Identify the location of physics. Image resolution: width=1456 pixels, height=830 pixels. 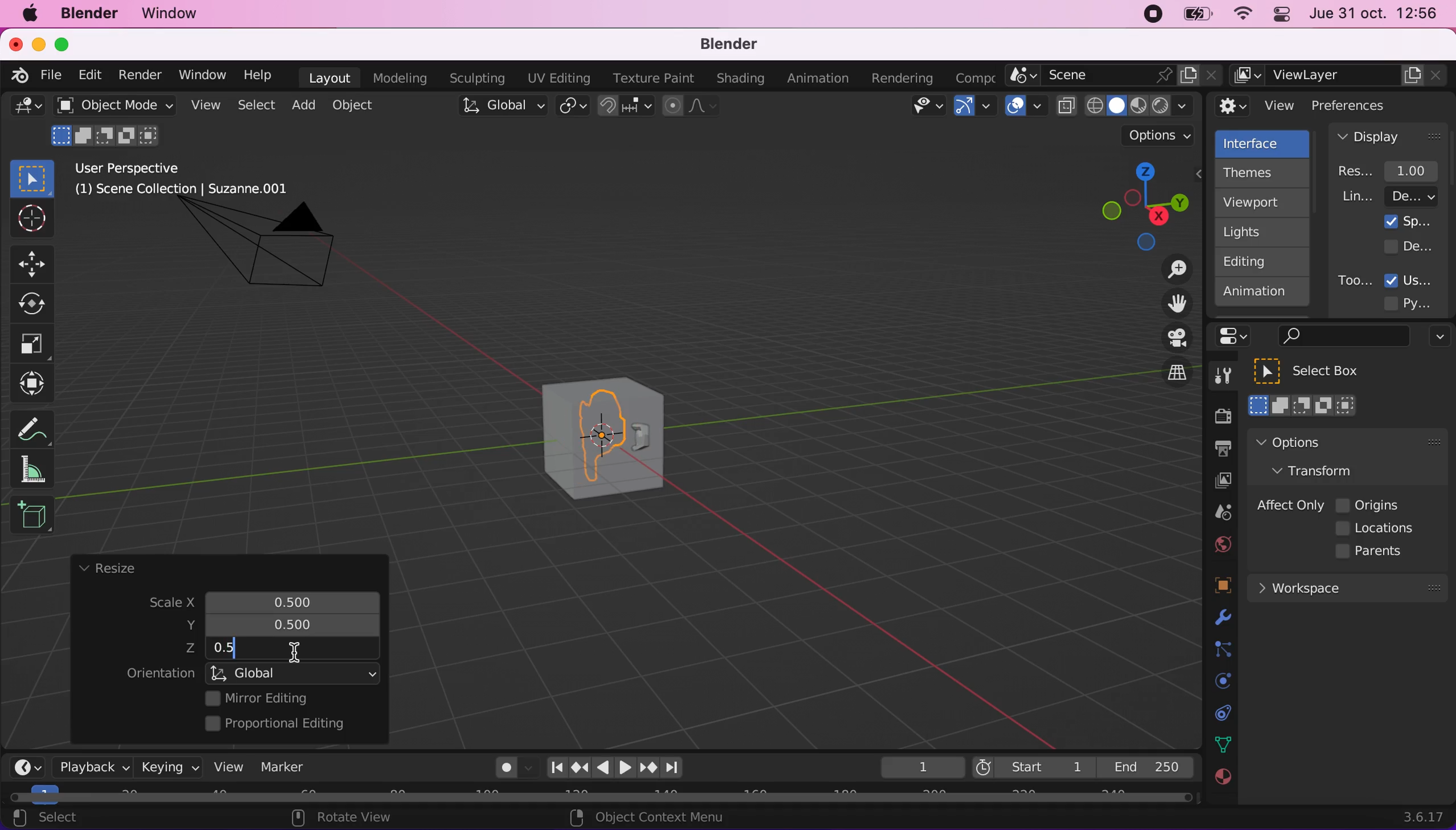
(1220, 619).